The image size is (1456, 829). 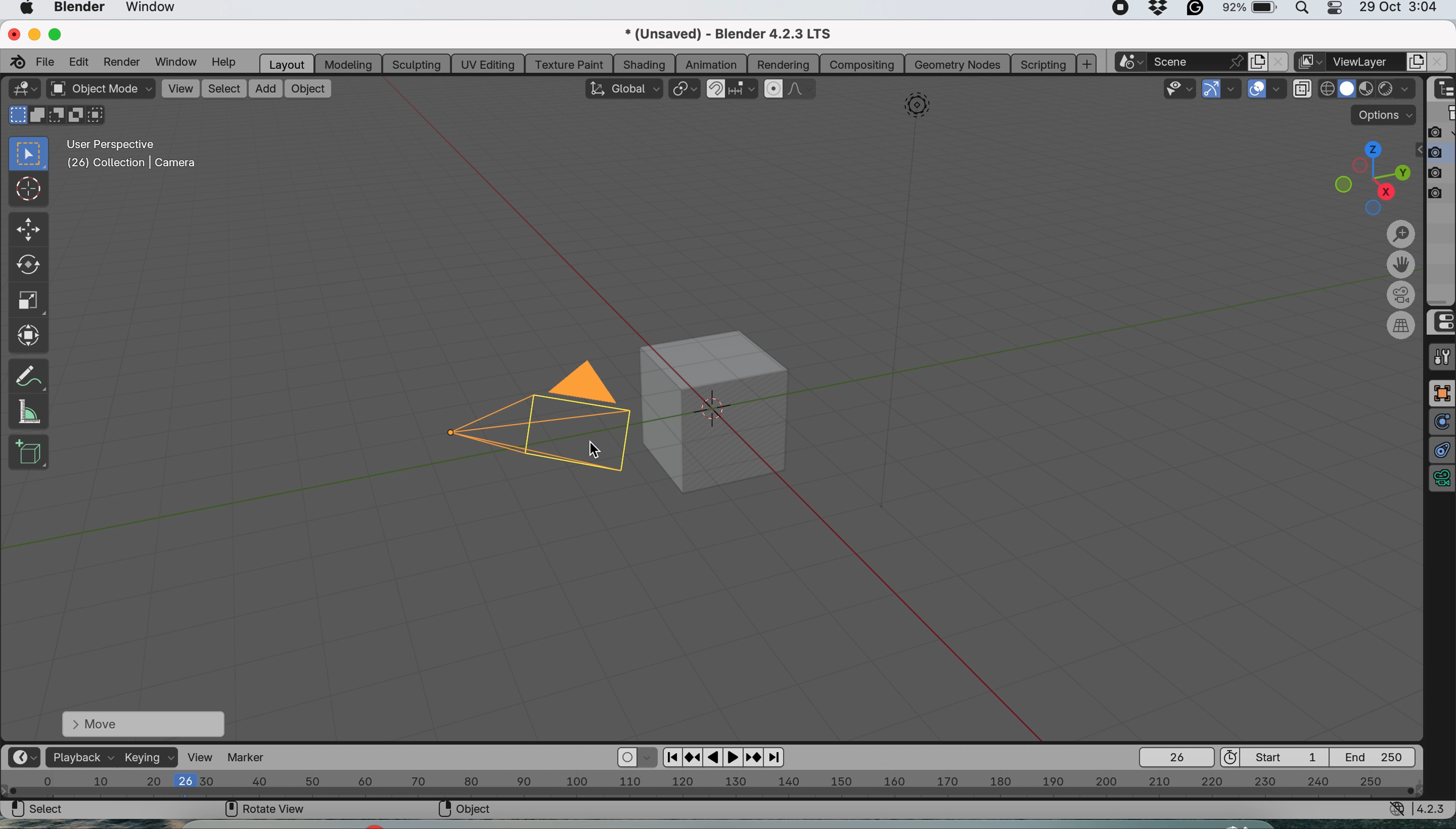 I want to click on modes, so click(x=58, y=116).